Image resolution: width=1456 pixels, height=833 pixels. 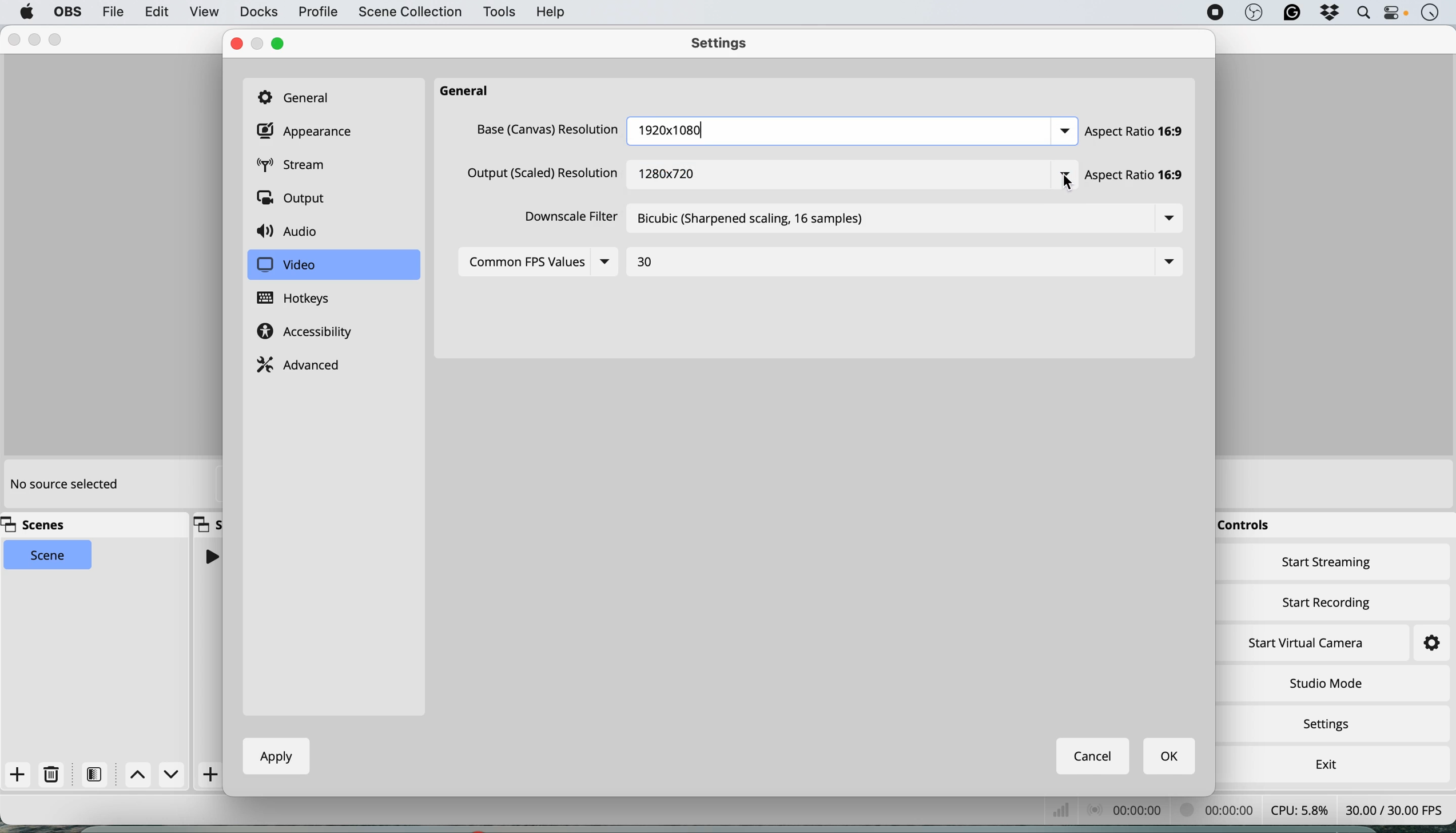 I want to click on Output (Scaled) Resolution, so click(x=539, y=176).